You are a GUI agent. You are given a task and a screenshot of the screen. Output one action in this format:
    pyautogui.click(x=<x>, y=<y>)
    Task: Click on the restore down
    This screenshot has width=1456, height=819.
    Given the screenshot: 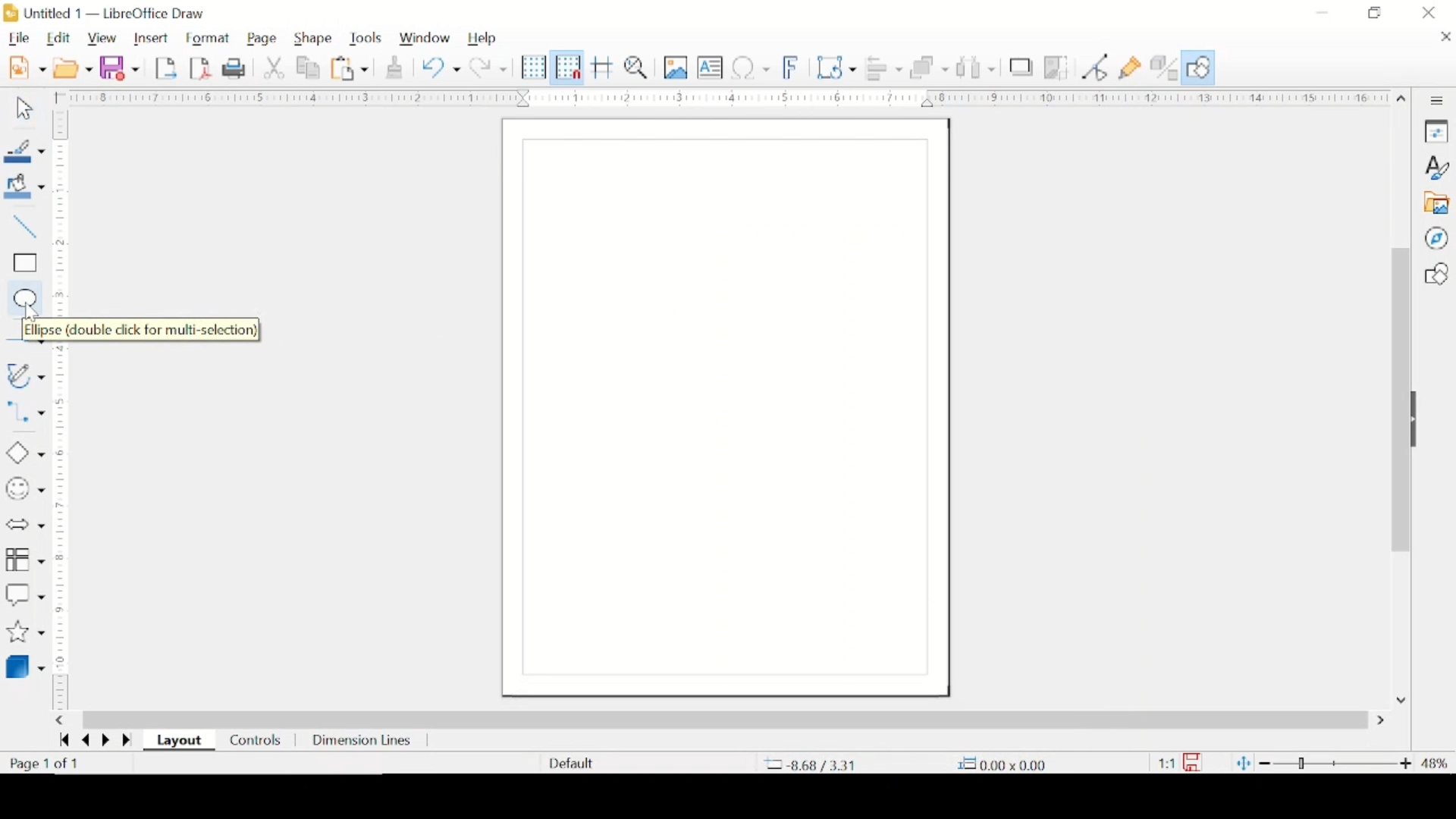 What is the action you would take?
    pyautogui.click(x=1376, y=13)
    